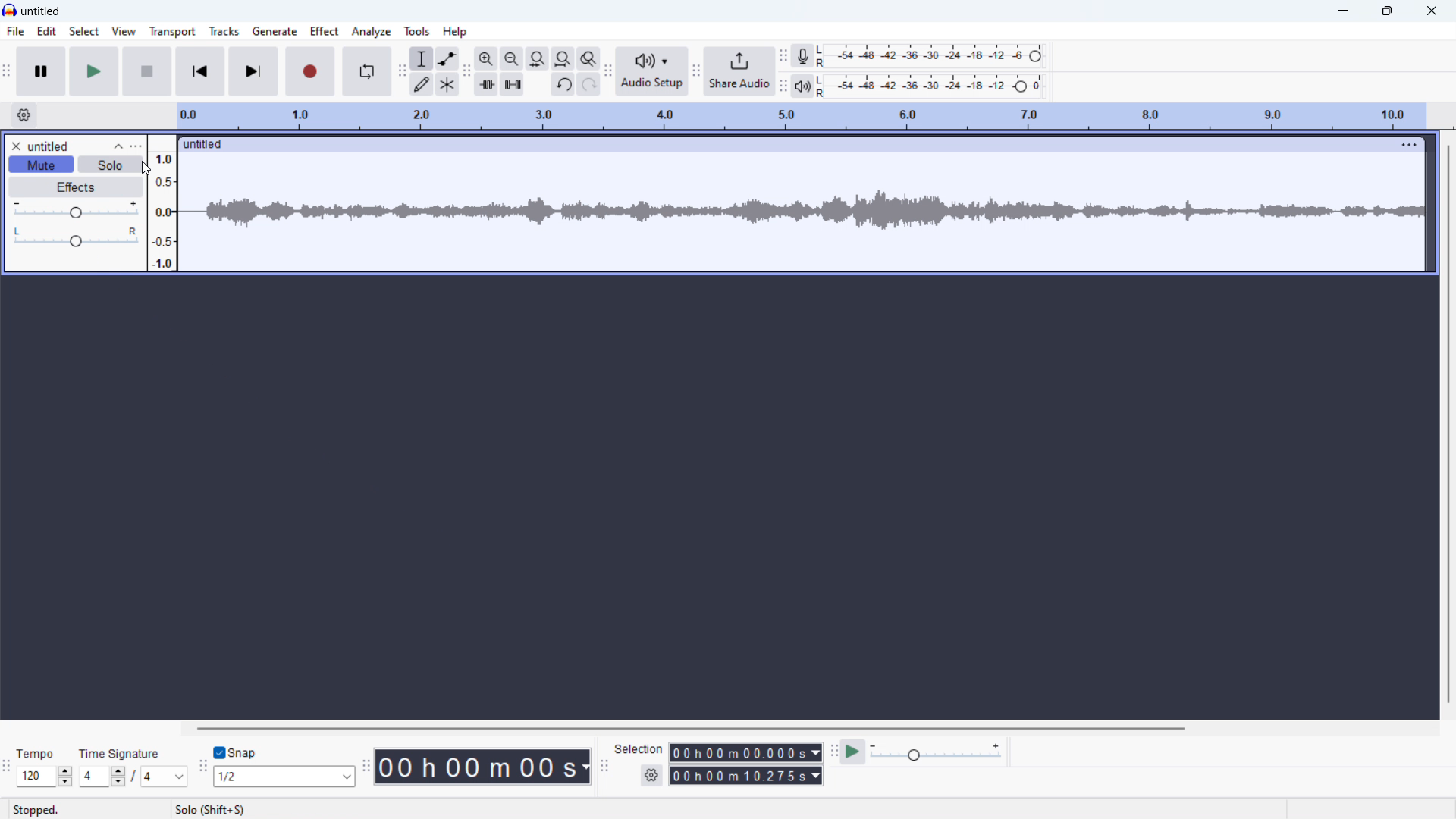 This screenshot has height=819, width=1456. Describe the element at coordinates (284, 777) in the screenshot. I see `set snapping` at that location.